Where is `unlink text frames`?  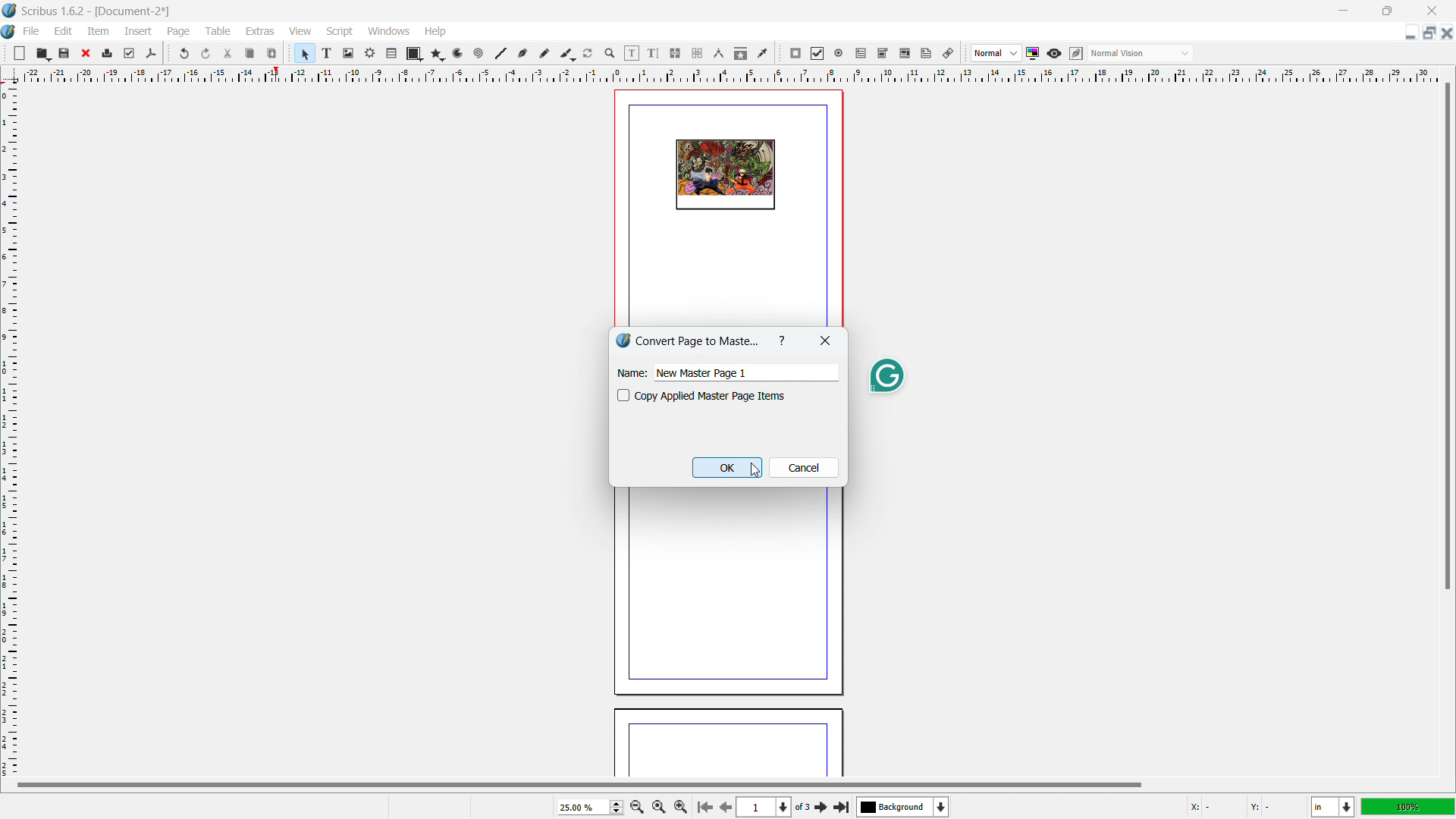 unlink text frames is located at coordinates (697, 54).